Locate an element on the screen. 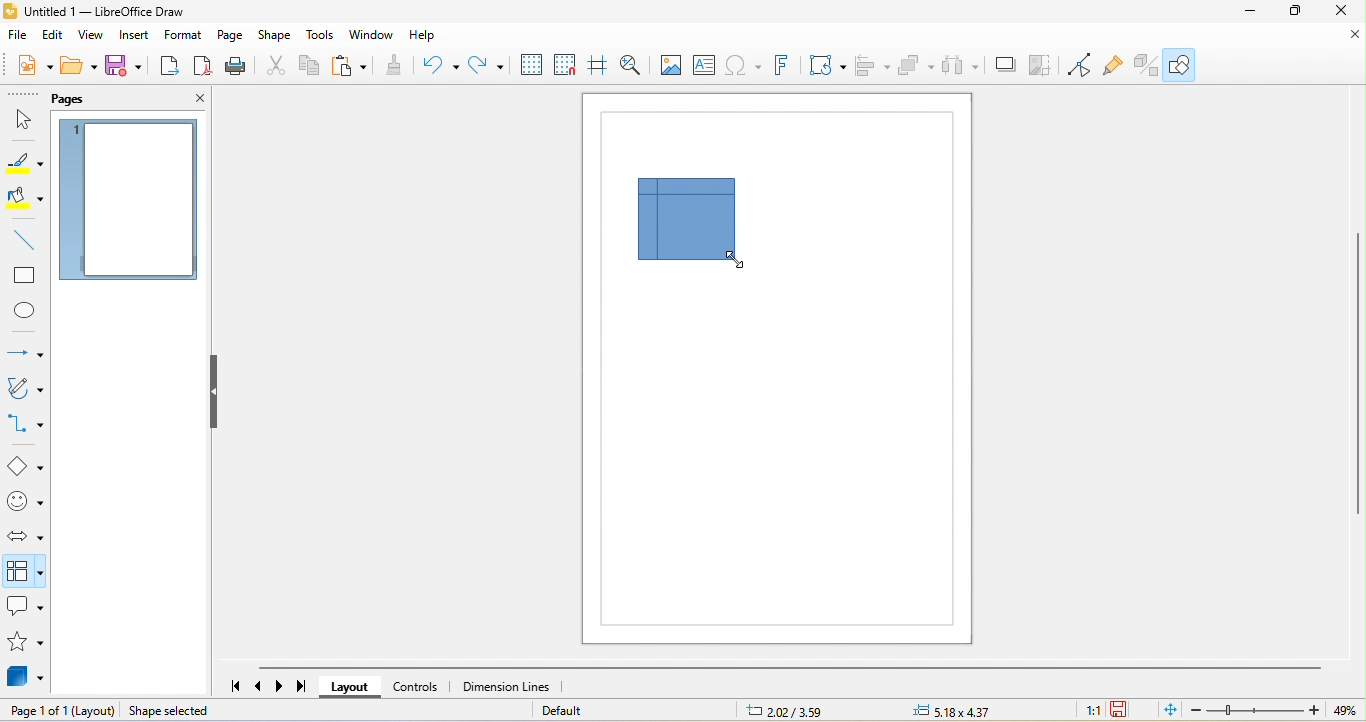 Image resolution: width=1366 pixels, height=722 pixels. transformation is located at coordinates (828, 67).